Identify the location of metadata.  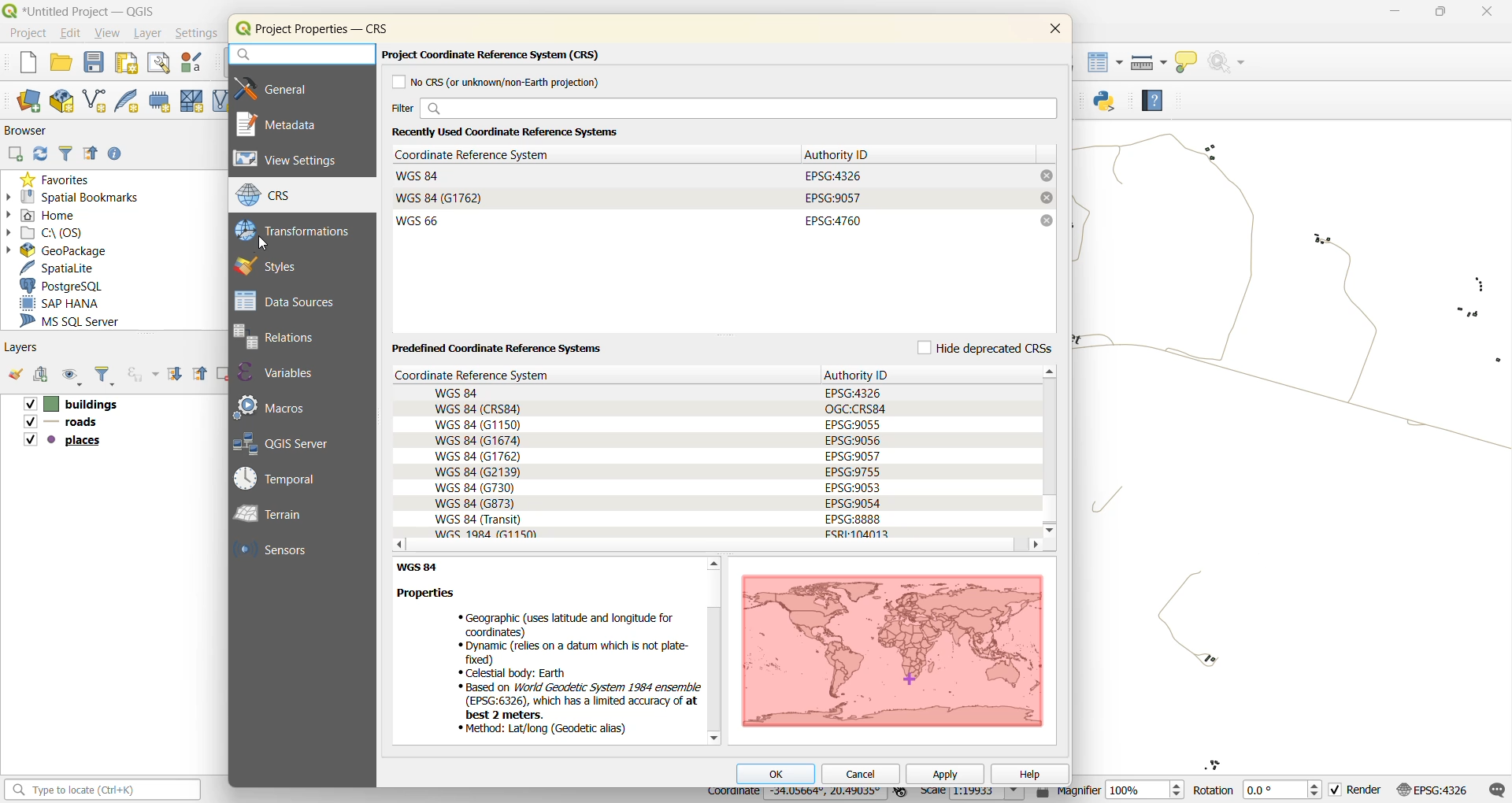
(285, 124).